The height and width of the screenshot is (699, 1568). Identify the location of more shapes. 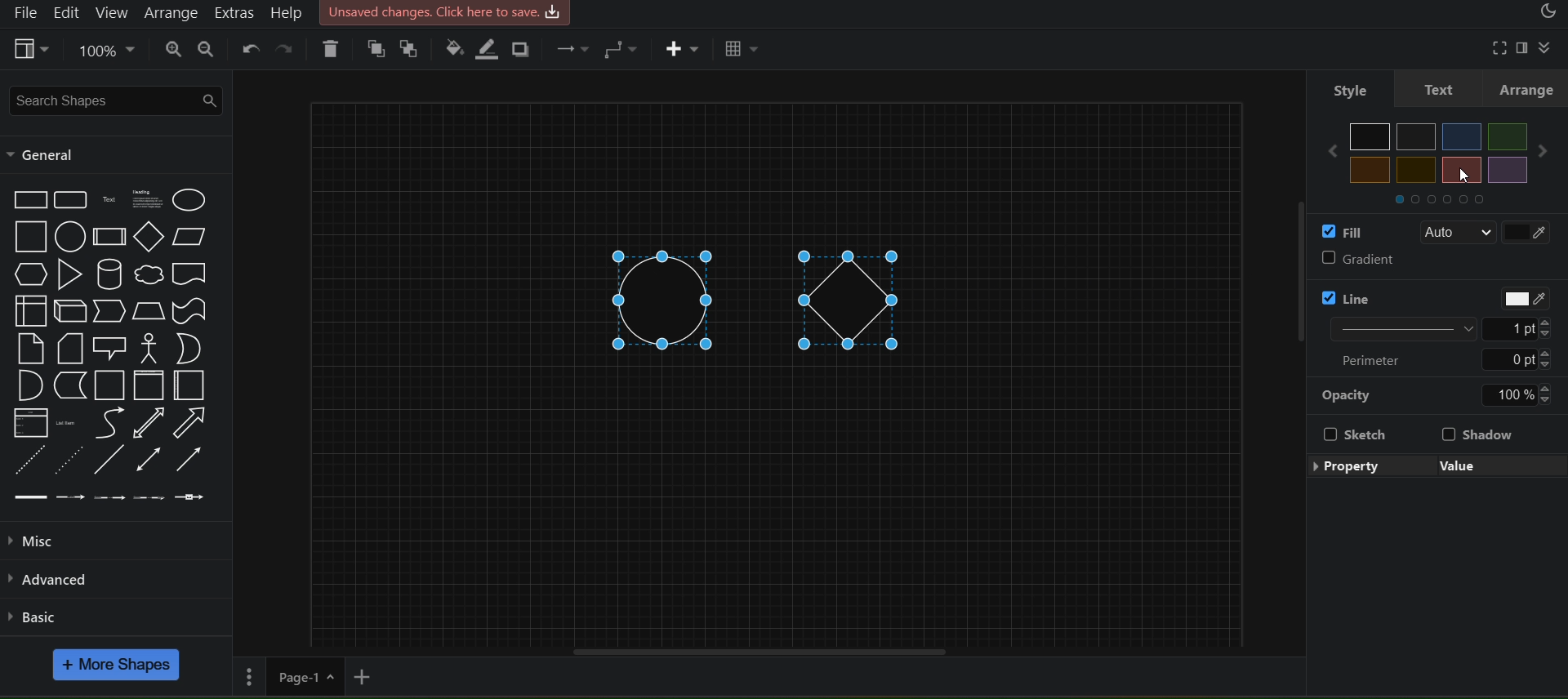
(113, 664).